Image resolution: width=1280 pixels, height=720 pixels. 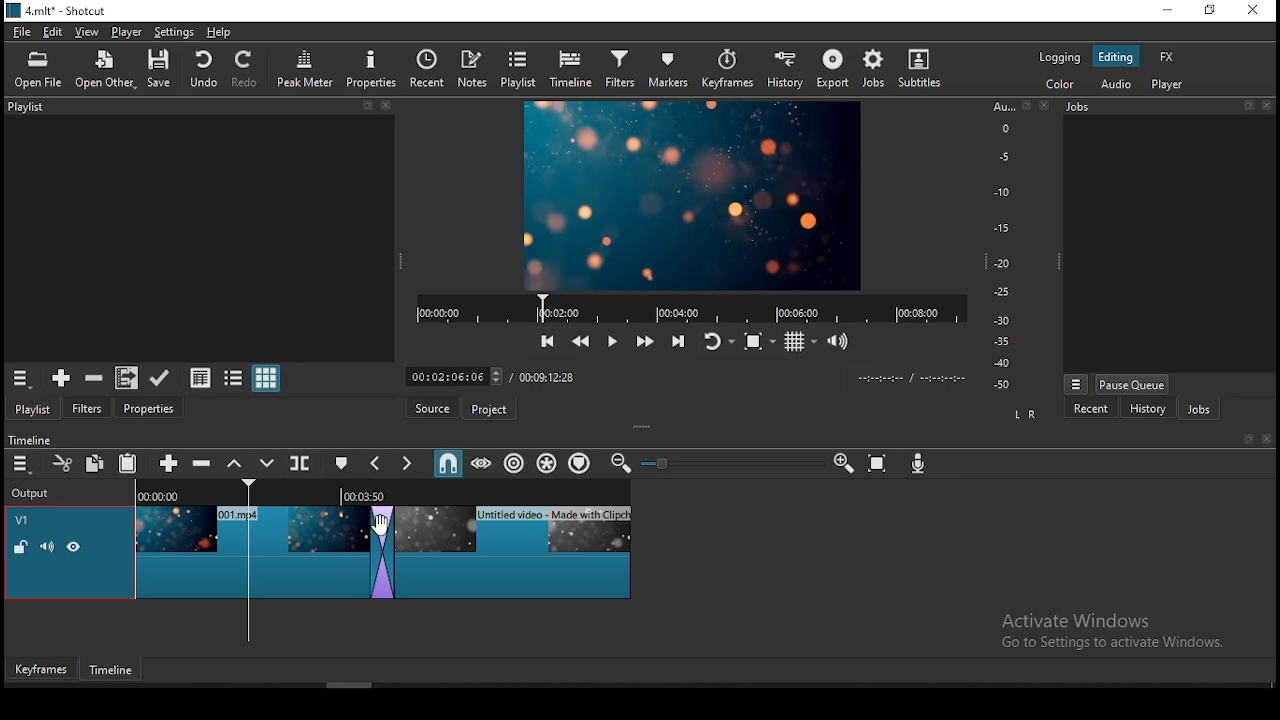 What do you see at coordinates (837, 343) in the screenshot?
I see `show volume control` at bounding box center [837, 343].